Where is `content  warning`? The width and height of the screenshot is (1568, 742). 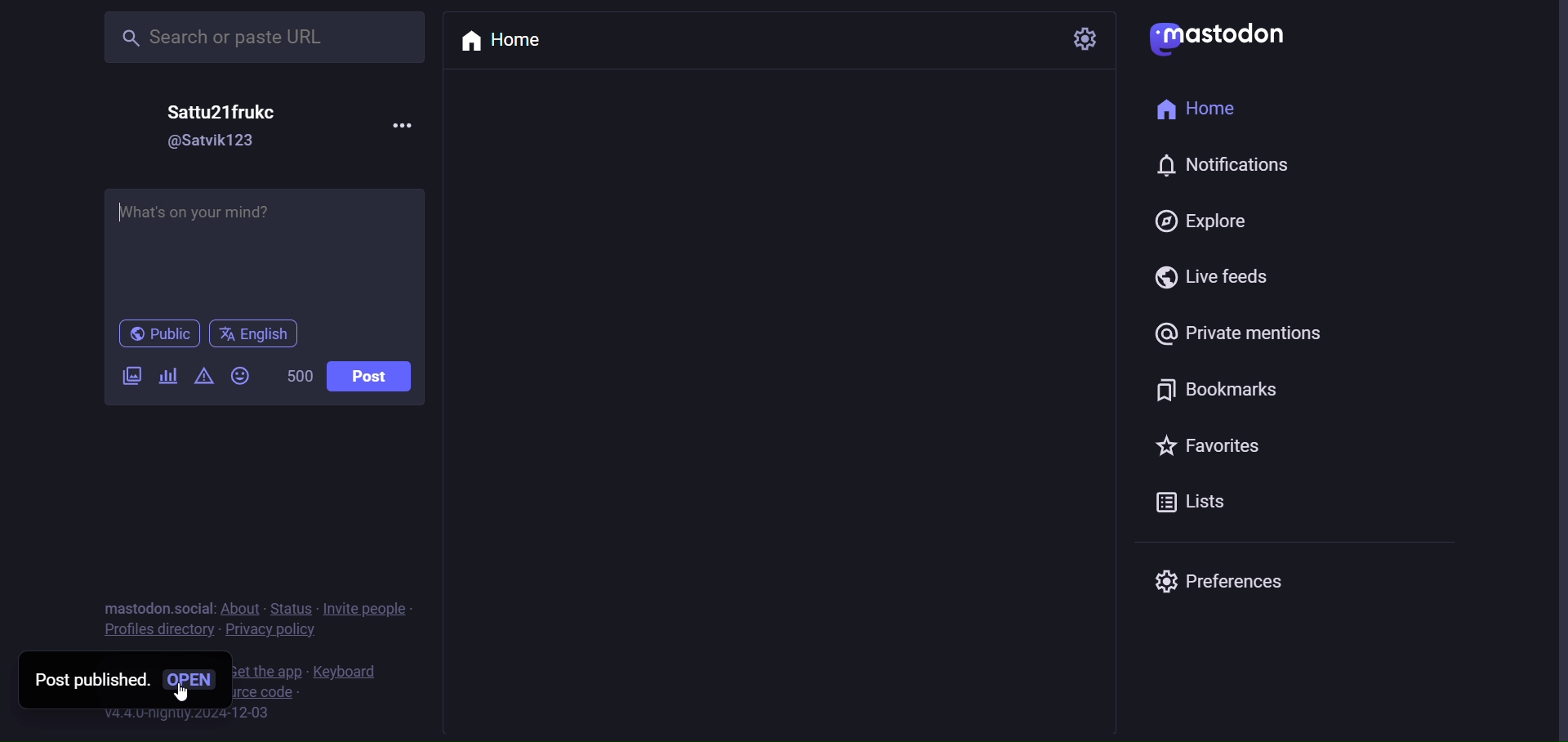
content  warning is located at coordinates (203, 378).